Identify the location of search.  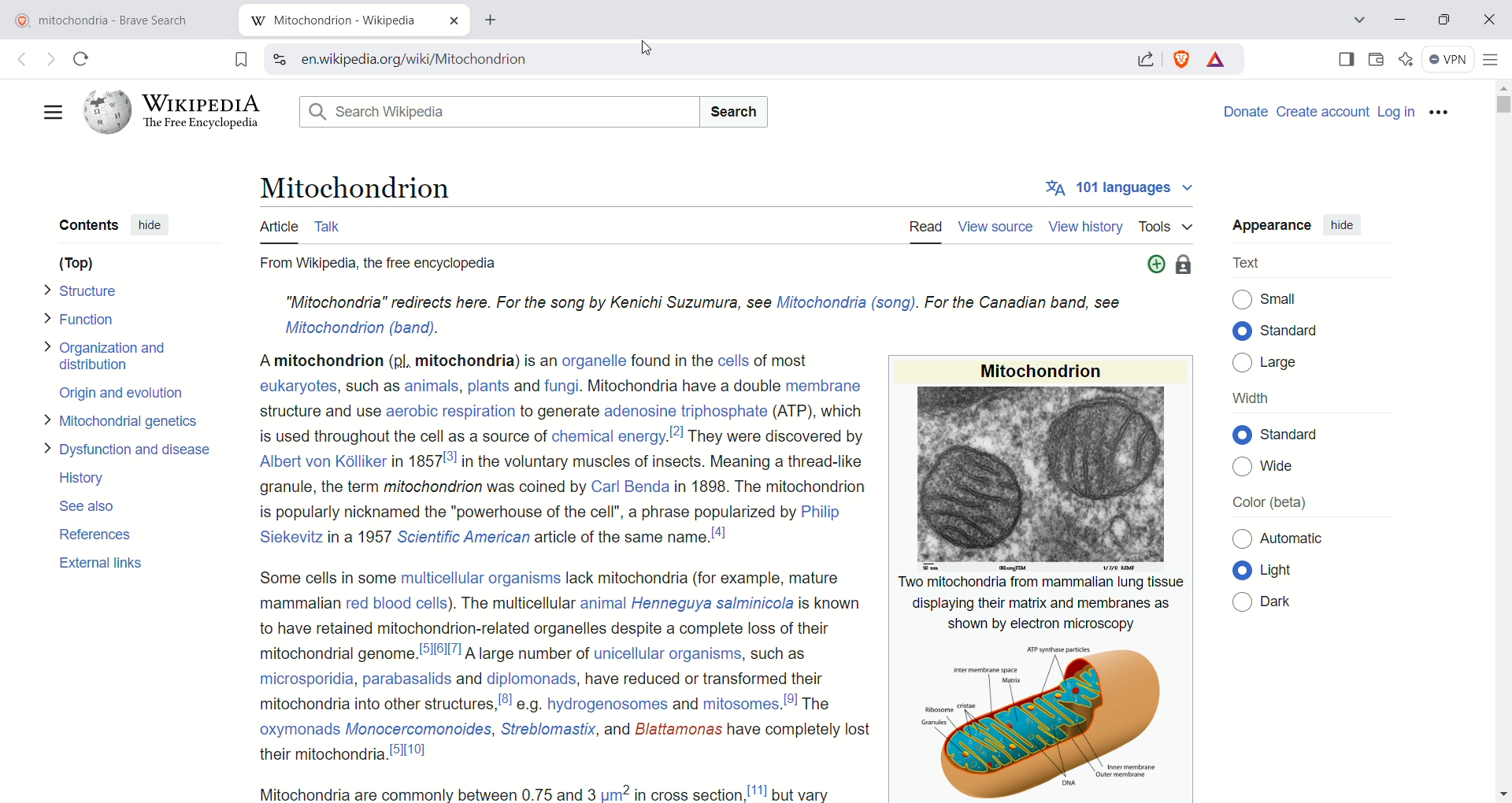
(691, 59).